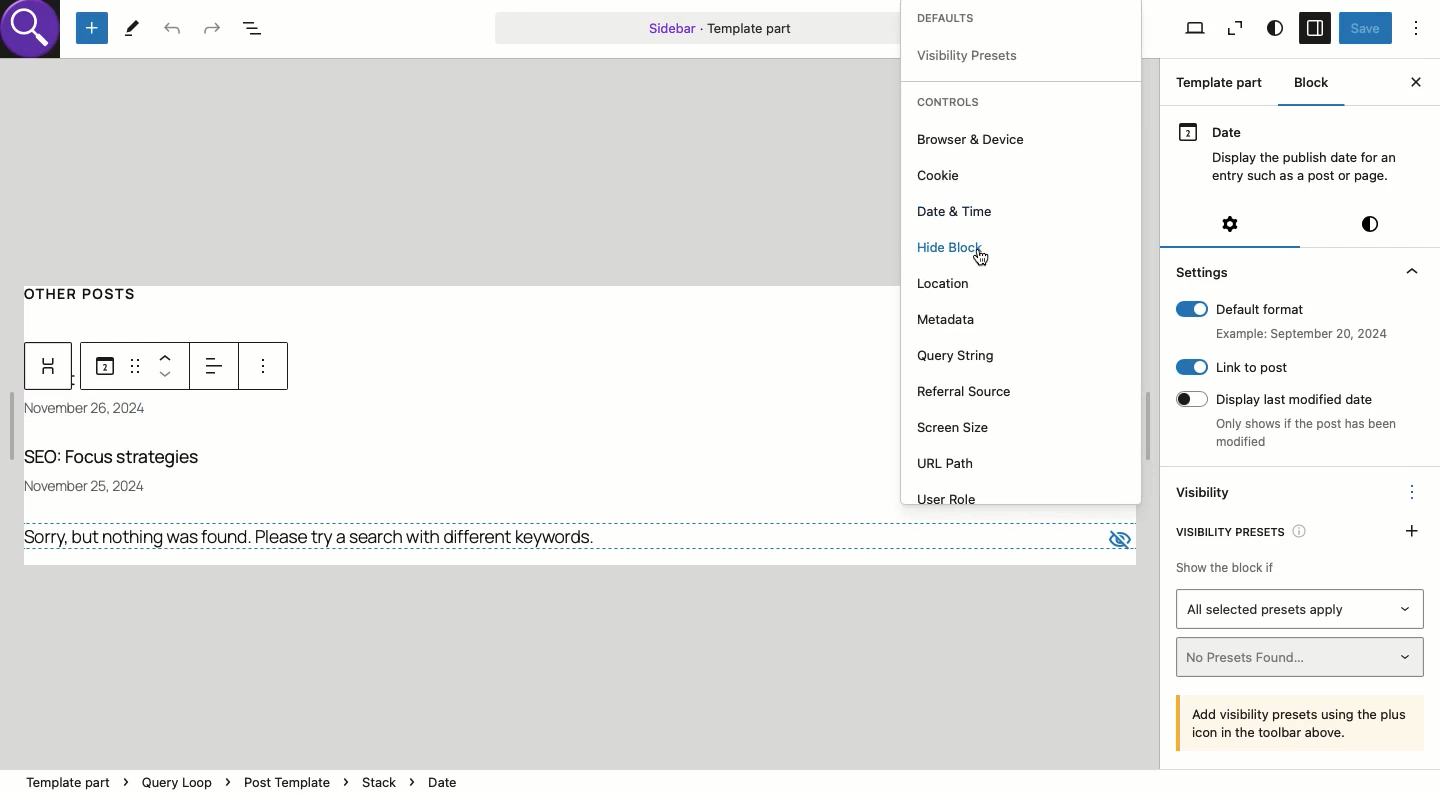 The width and height of the screenshot is (1440, 794). I want to click on Left alignment, so click(217, 363).